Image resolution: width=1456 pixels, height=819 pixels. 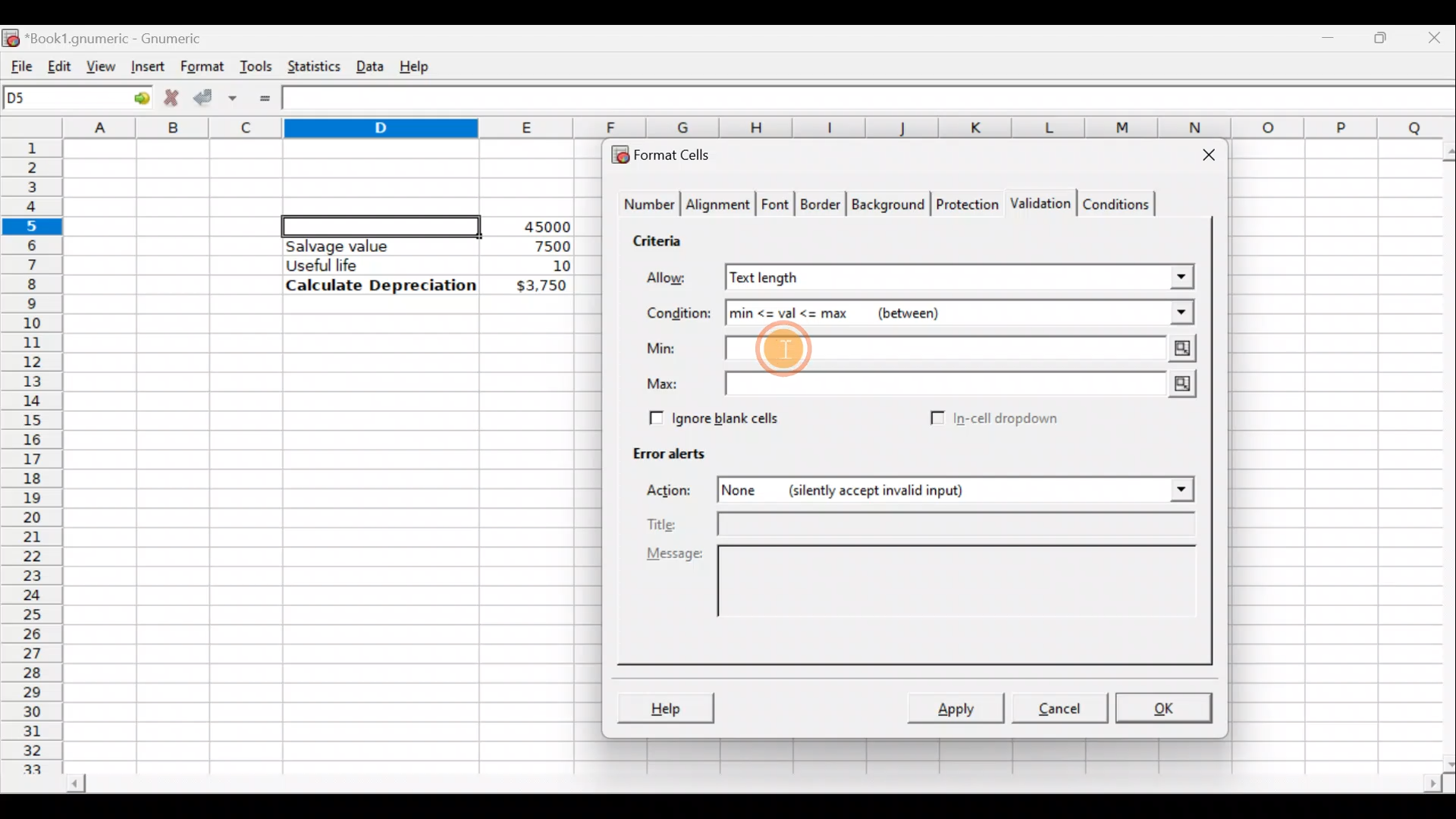 I want to click on 7500, so click(x=528, y=245).